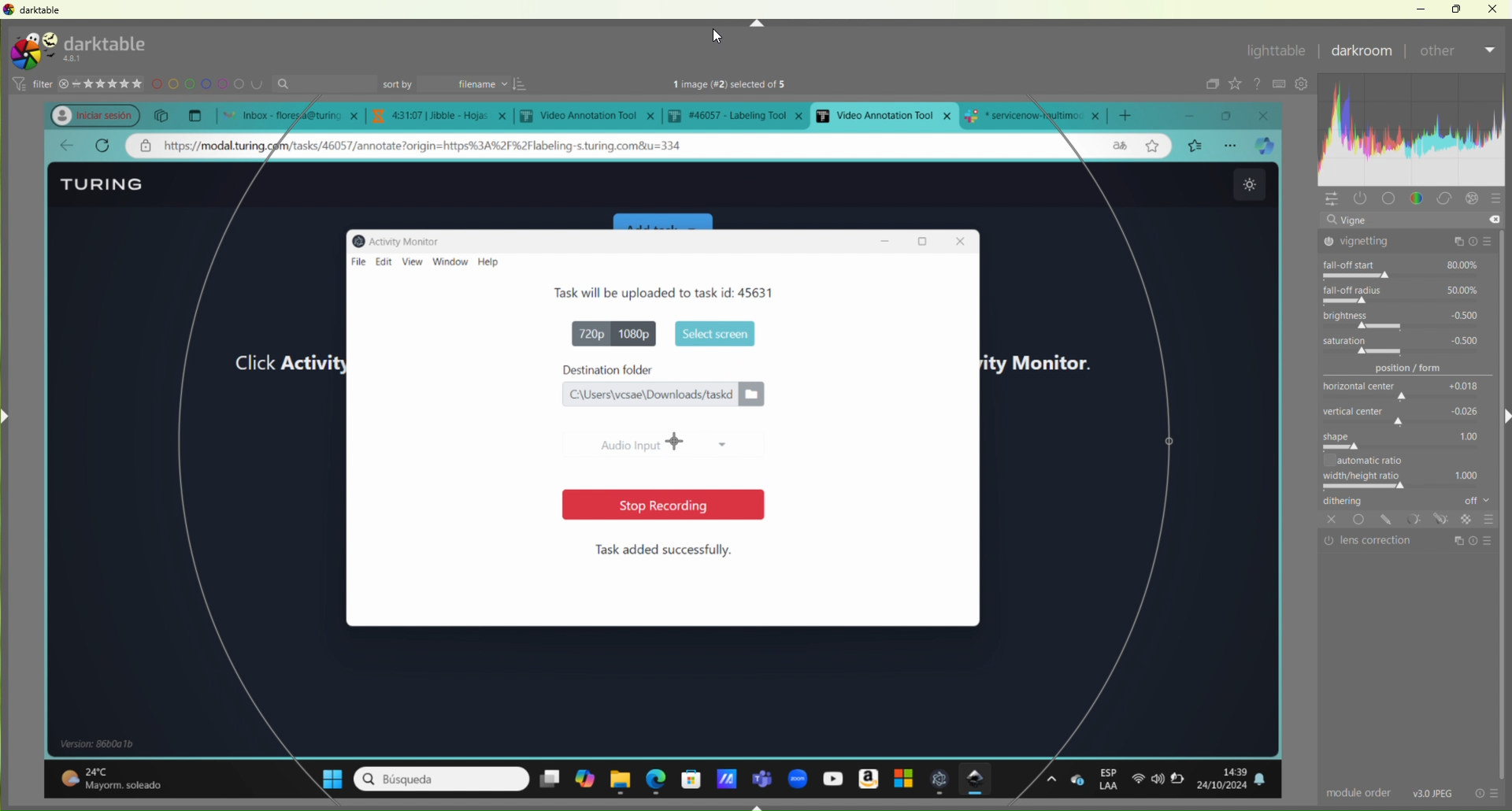  What do you see at coordinates (1409, 386) in the screenshot?
I see `horizontal center` at bounding box center [1409, 386].